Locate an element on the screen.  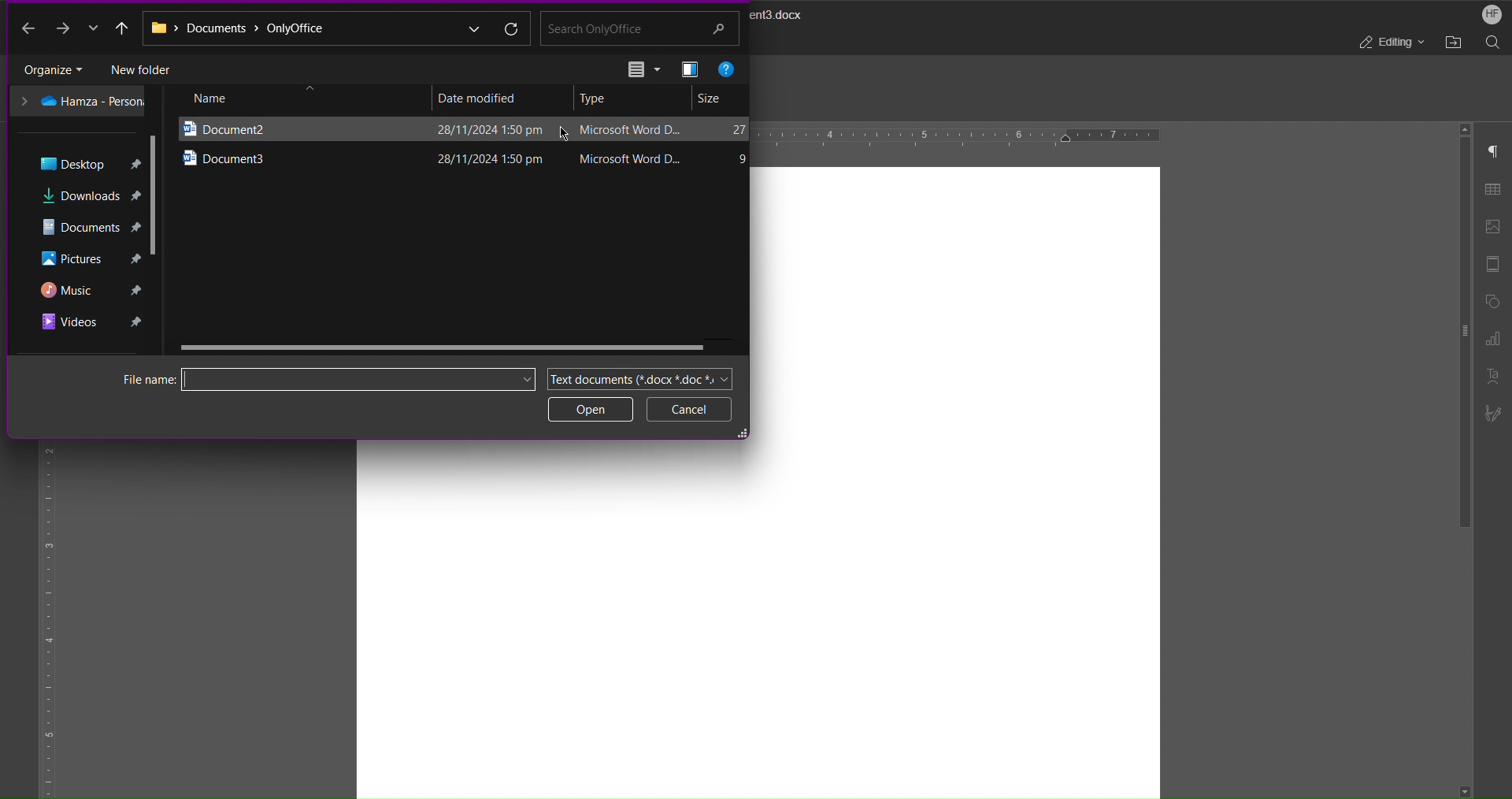
Cancel is located at coordinates (689, 409).